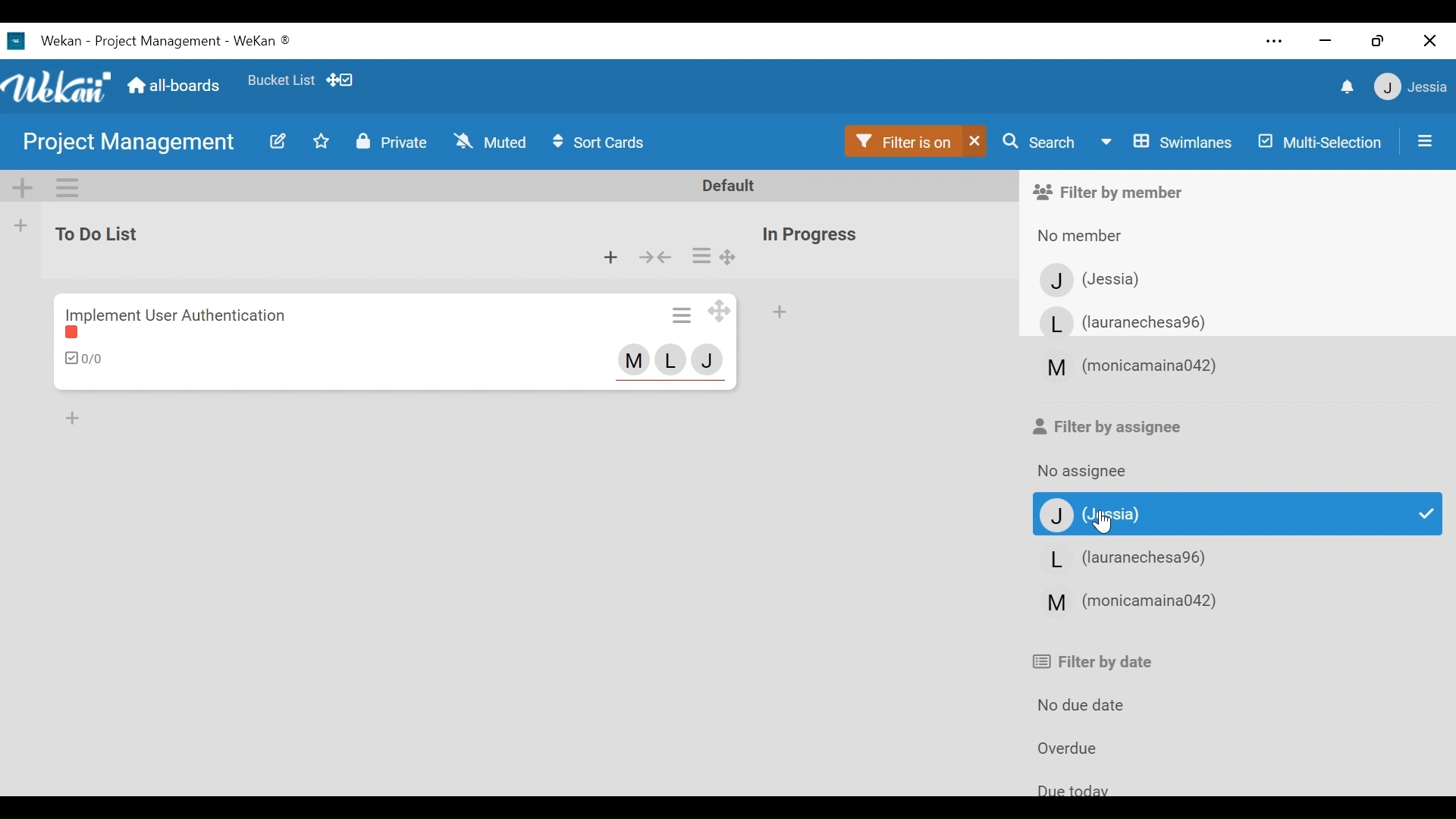 Image resolution: width=1456 pixels, height=819 pixels. What do you see at coordinates (698, 257) in the screenshot?
I see `list actions` at bounding box center [698, 257].